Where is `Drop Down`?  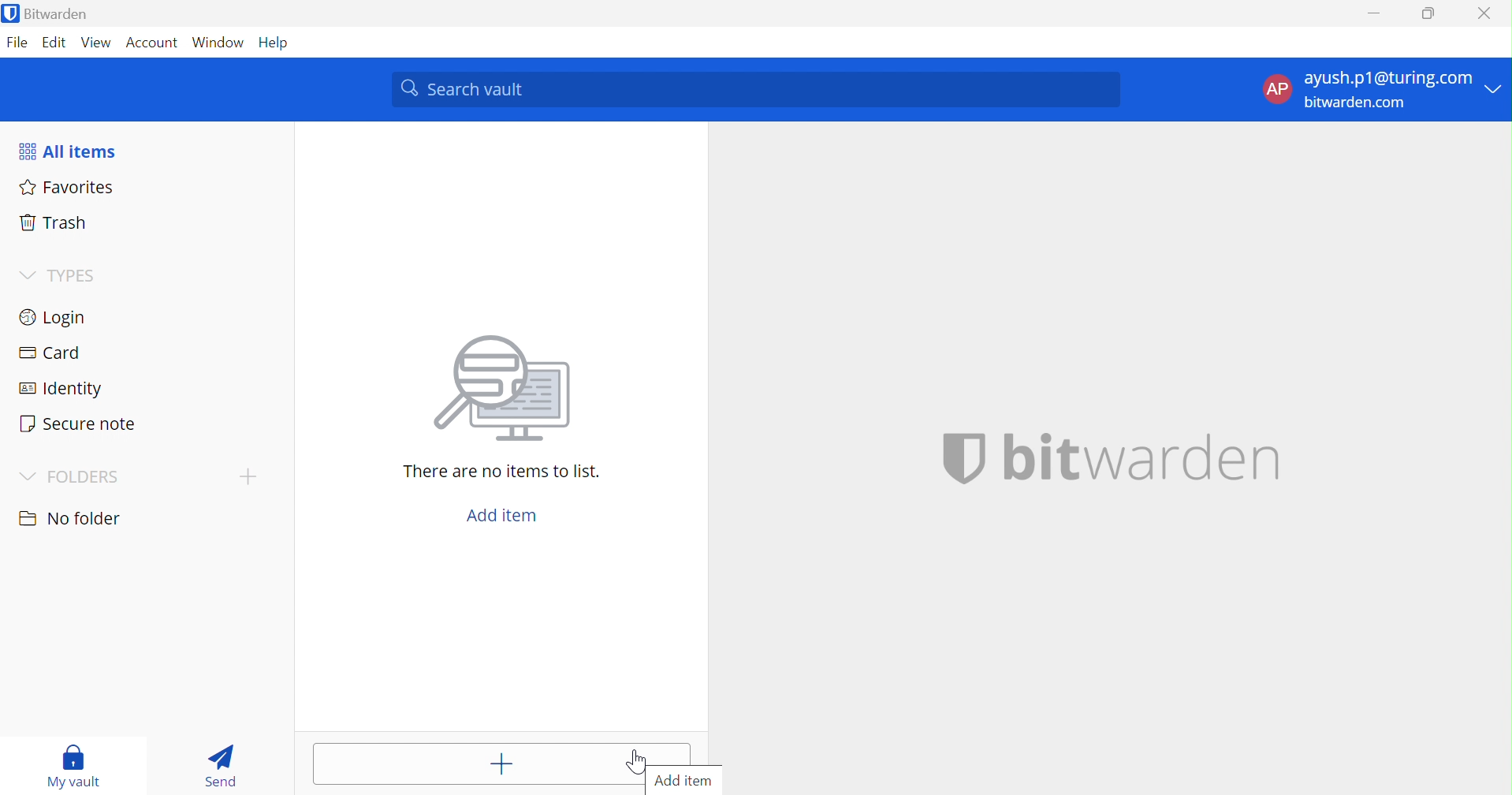
Drop Down is located at coordinates (28, 477).